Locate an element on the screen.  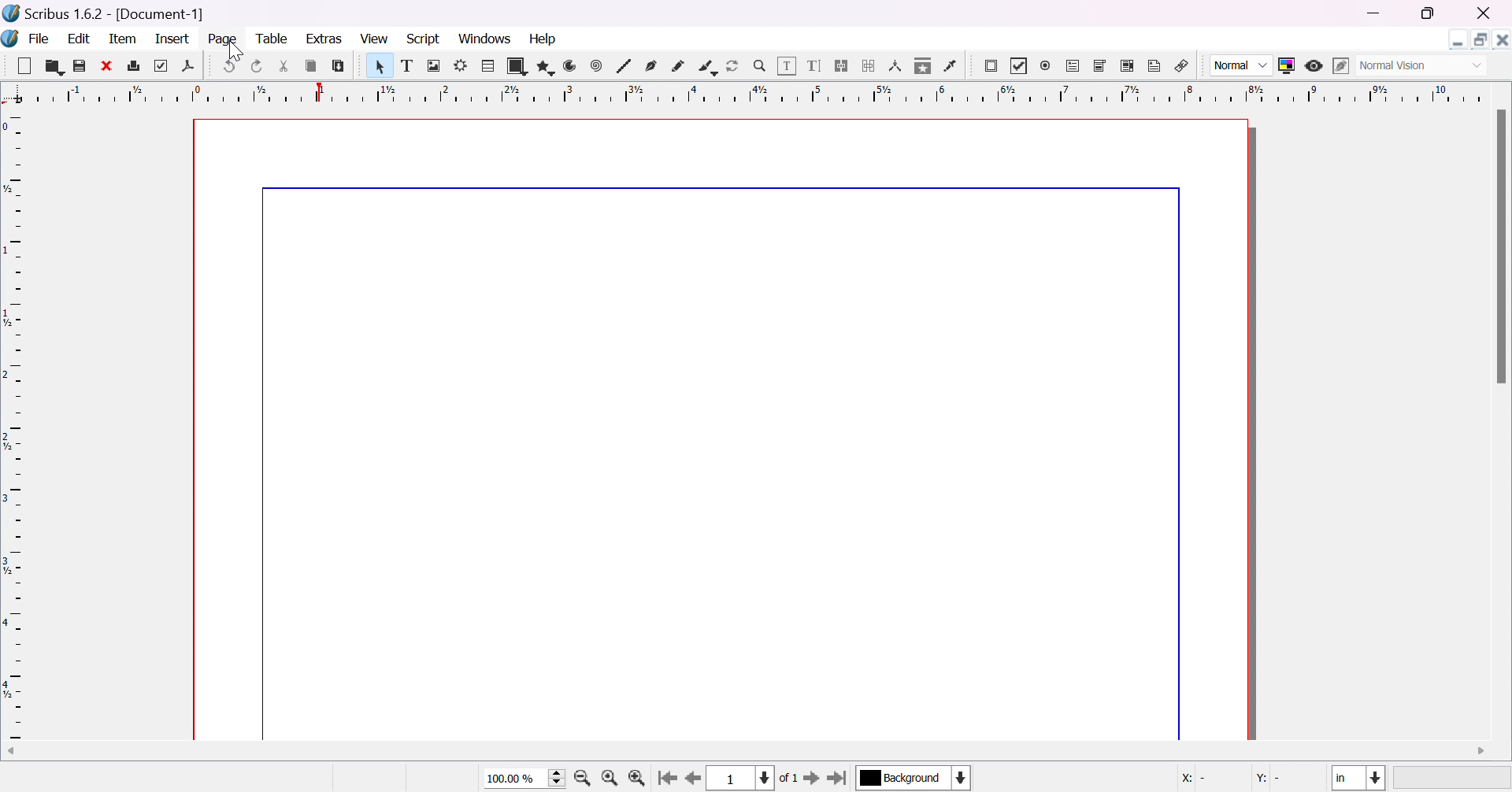
go to previous page is located at coordinates (693, 779).